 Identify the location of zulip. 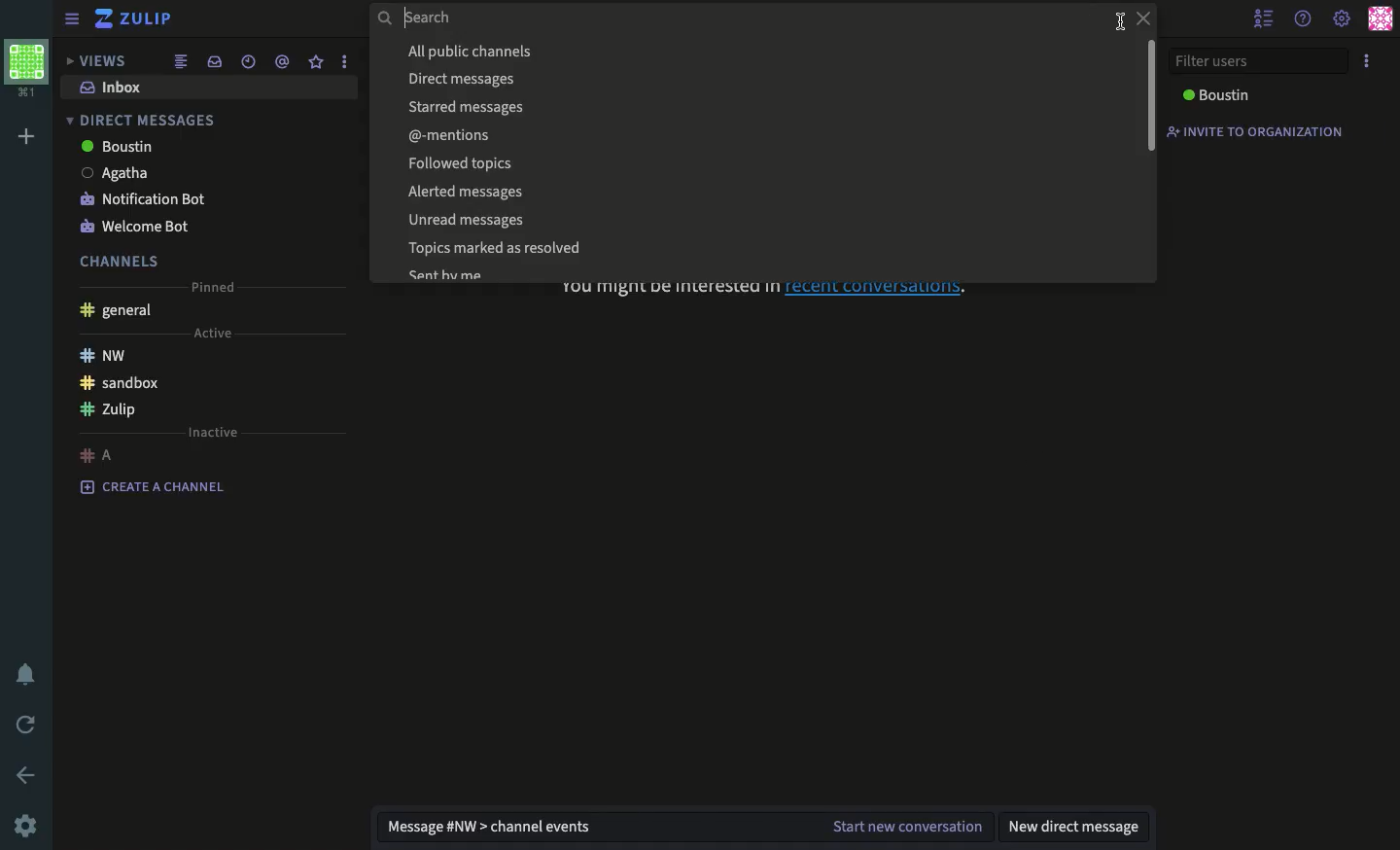
(136, 18).